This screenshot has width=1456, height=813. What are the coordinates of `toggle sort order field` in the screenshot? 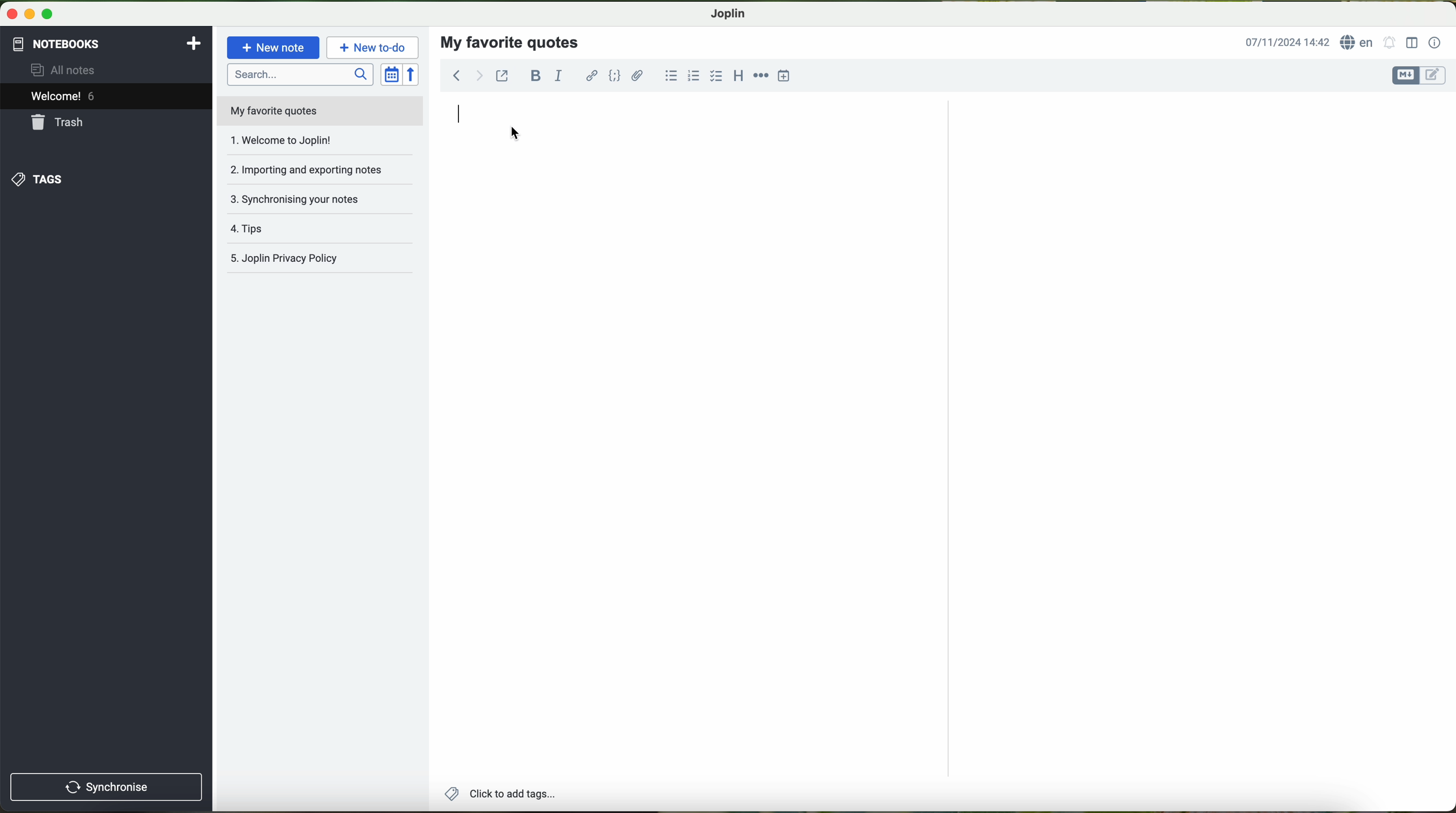 It's located at (389, 75).